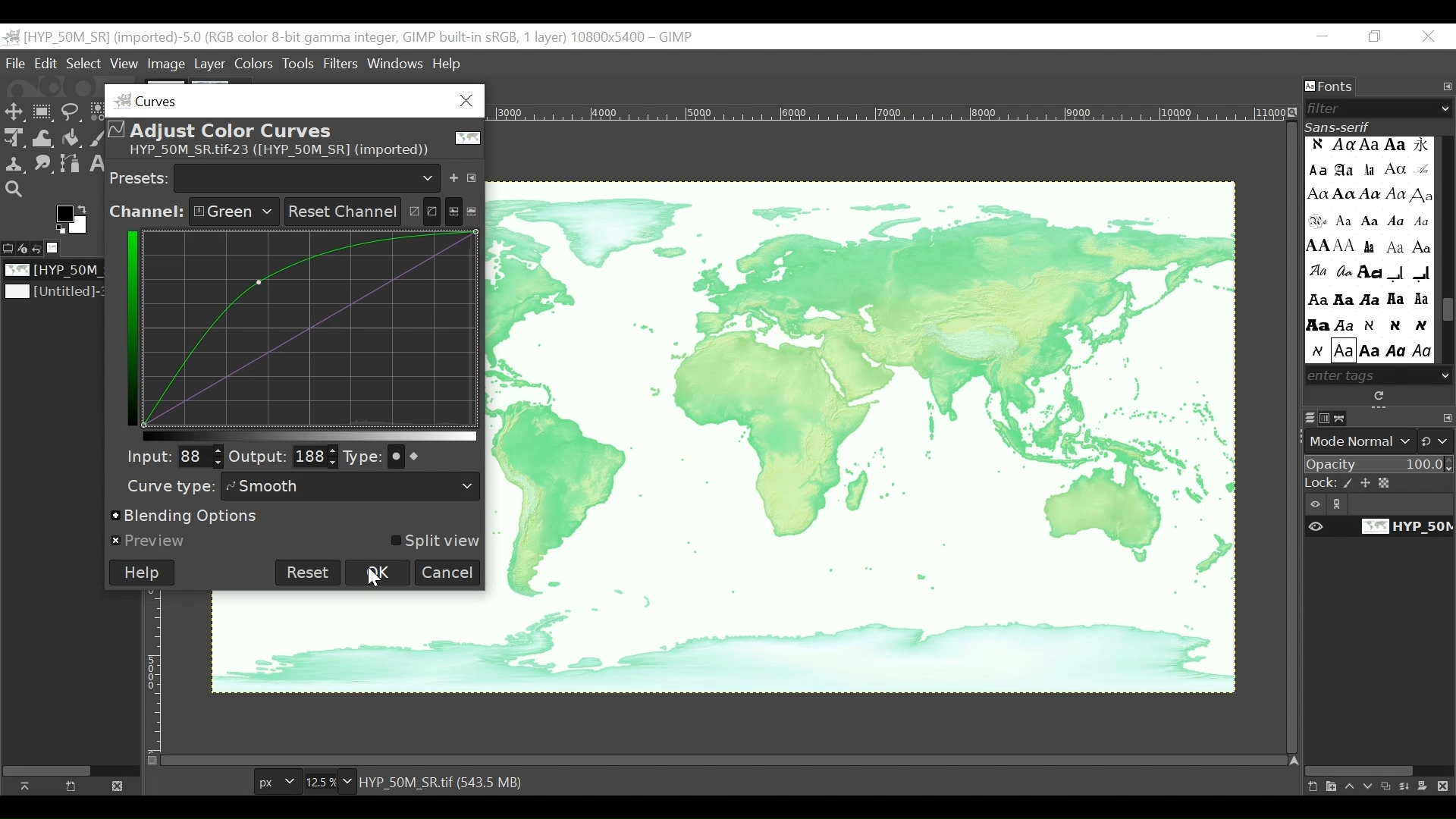  I want to click on Horizontal Ruler, so click(889, 111).